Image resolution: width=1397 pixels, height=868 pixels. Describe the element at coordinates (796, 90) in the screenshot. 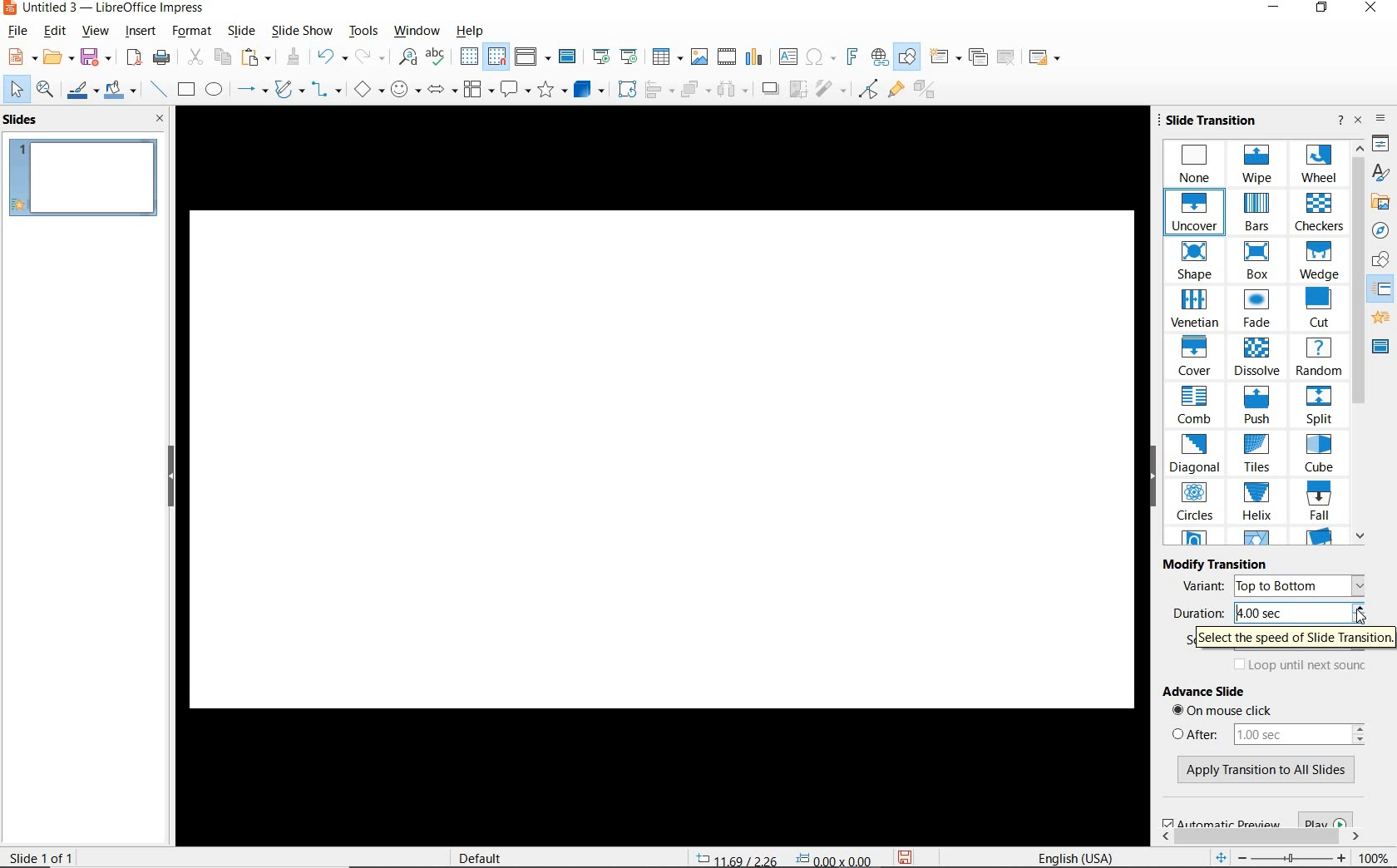

I see `CROP IMAGE` at that location.